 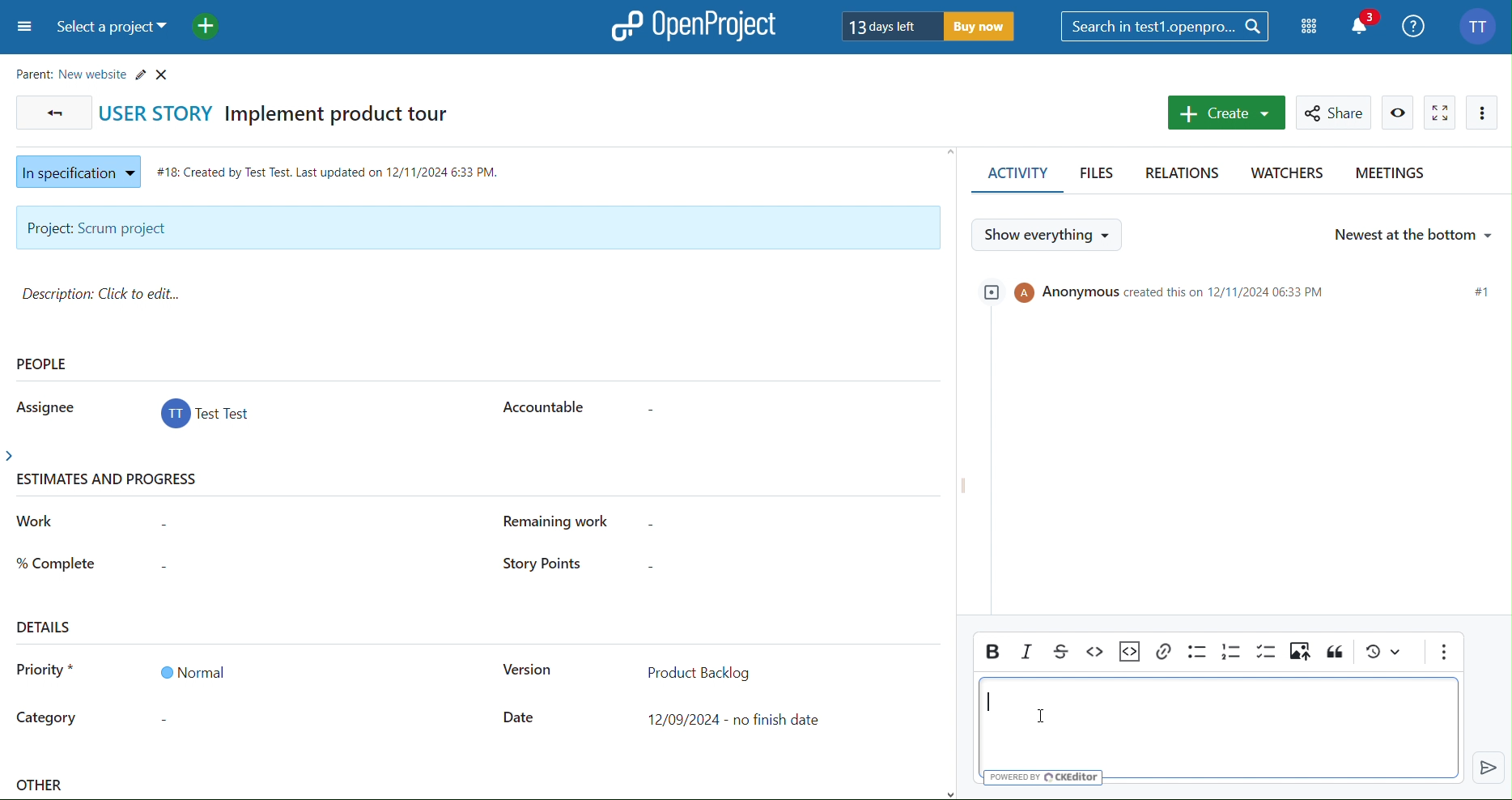 What do you see at coordinates (1049, 234) in the screenshot?
I see `Show everything` at bounding box center [1049, 234].